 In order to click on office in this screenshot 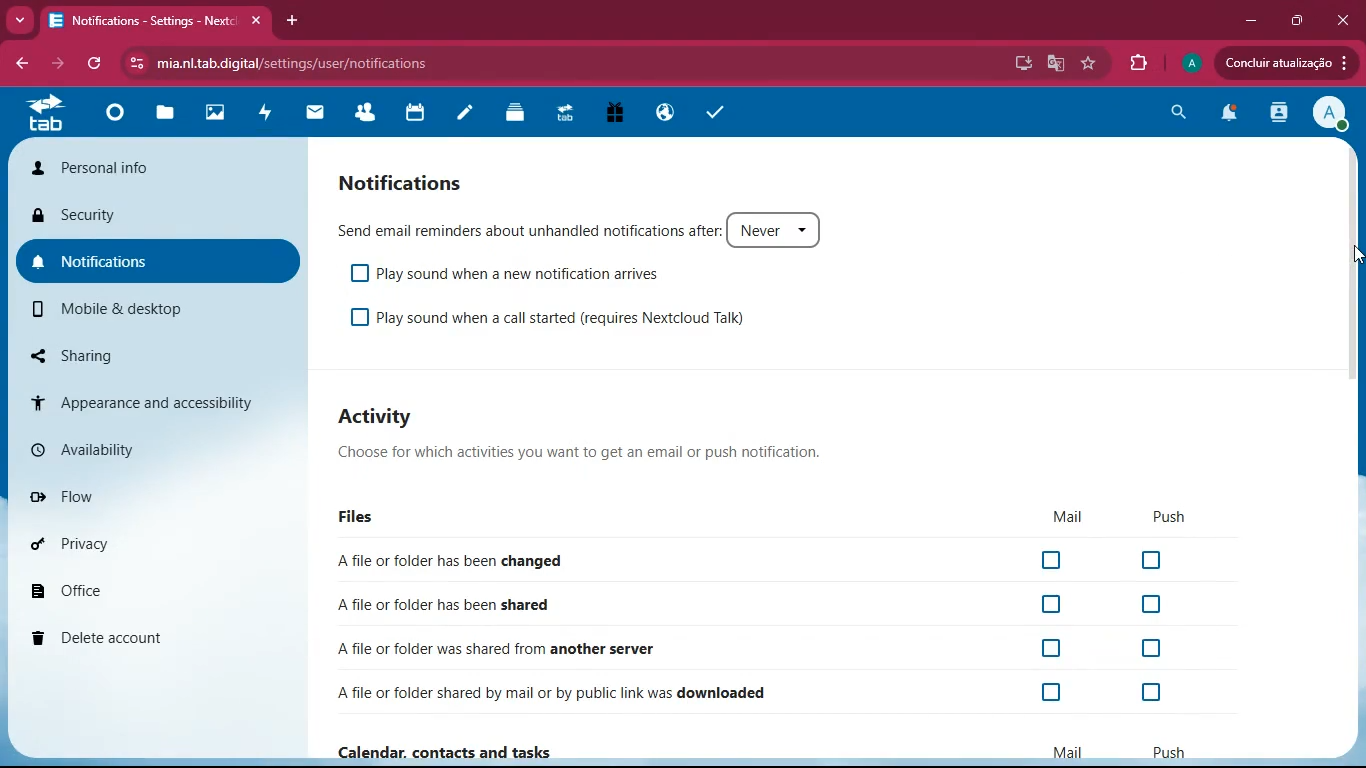, I will do `click(131, 590)`.